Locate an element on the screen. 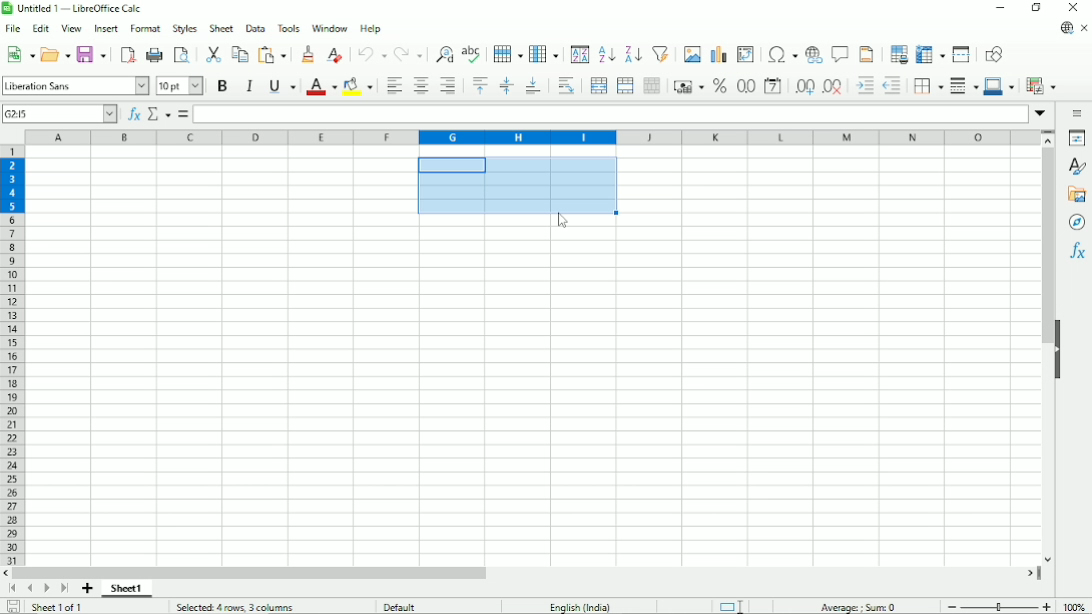 The width and height of the screenshot is (1092, 614). Clone formatting is located at coordinates (308, 55).